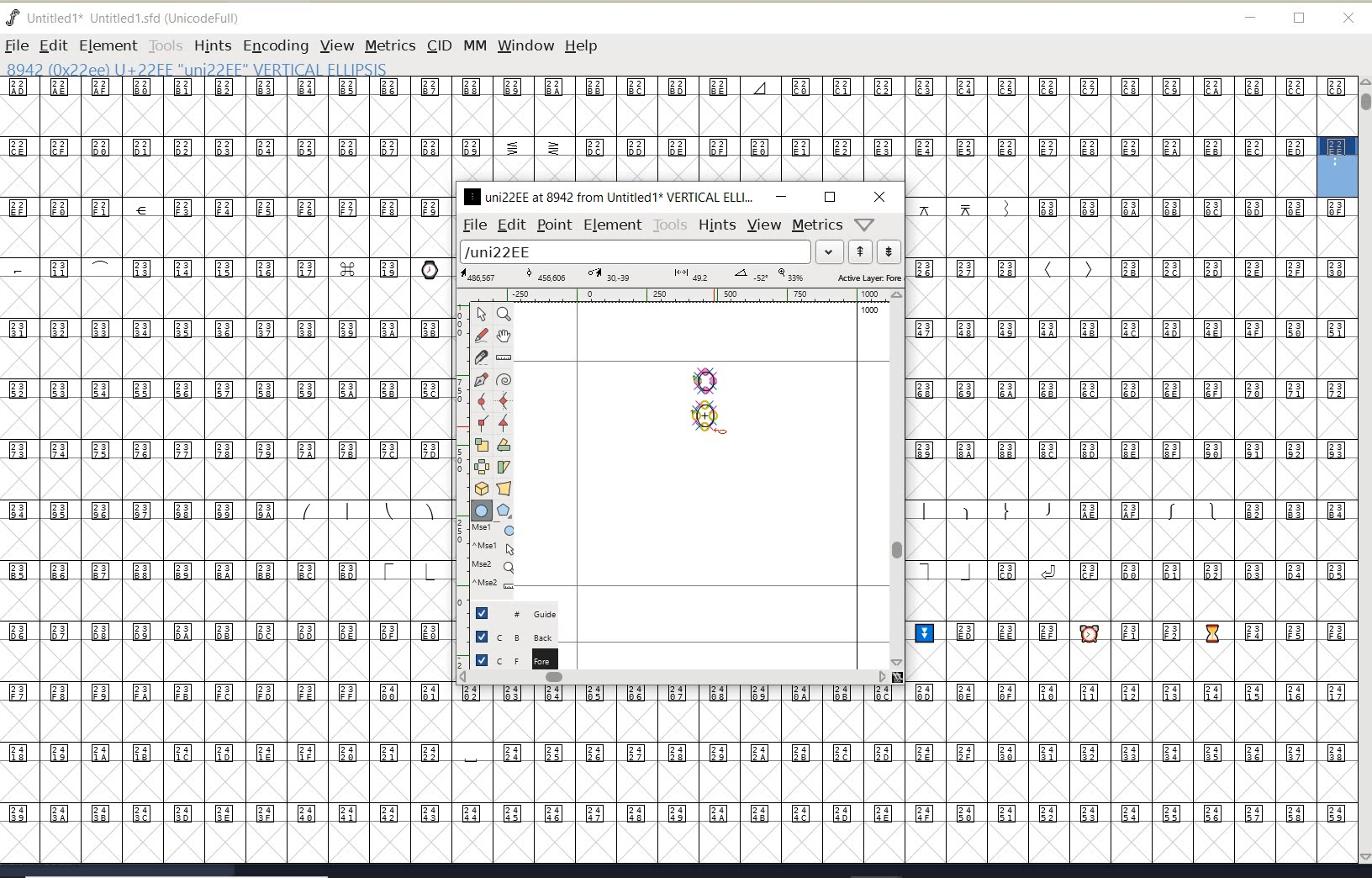 This screenshot has height=878, width=1372. What do you see at coordinates (495, 557) in the screenshot?
I see `cursor events on the open new outline window` at bounding box center [495, 557].